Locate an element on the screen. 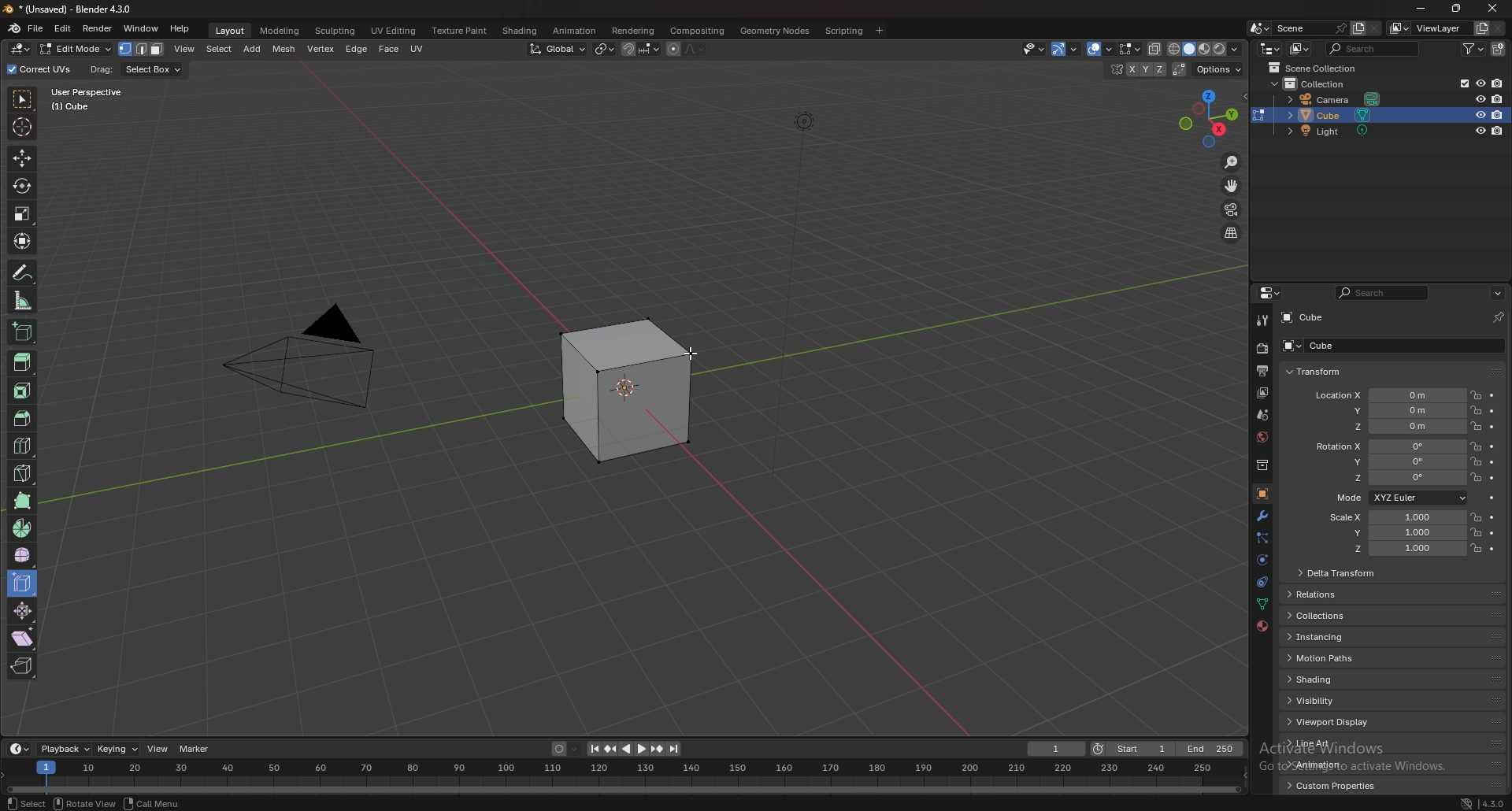 The width and height of the screenshot is (1512, 811). extrude region is located at coordinates (24, 361).